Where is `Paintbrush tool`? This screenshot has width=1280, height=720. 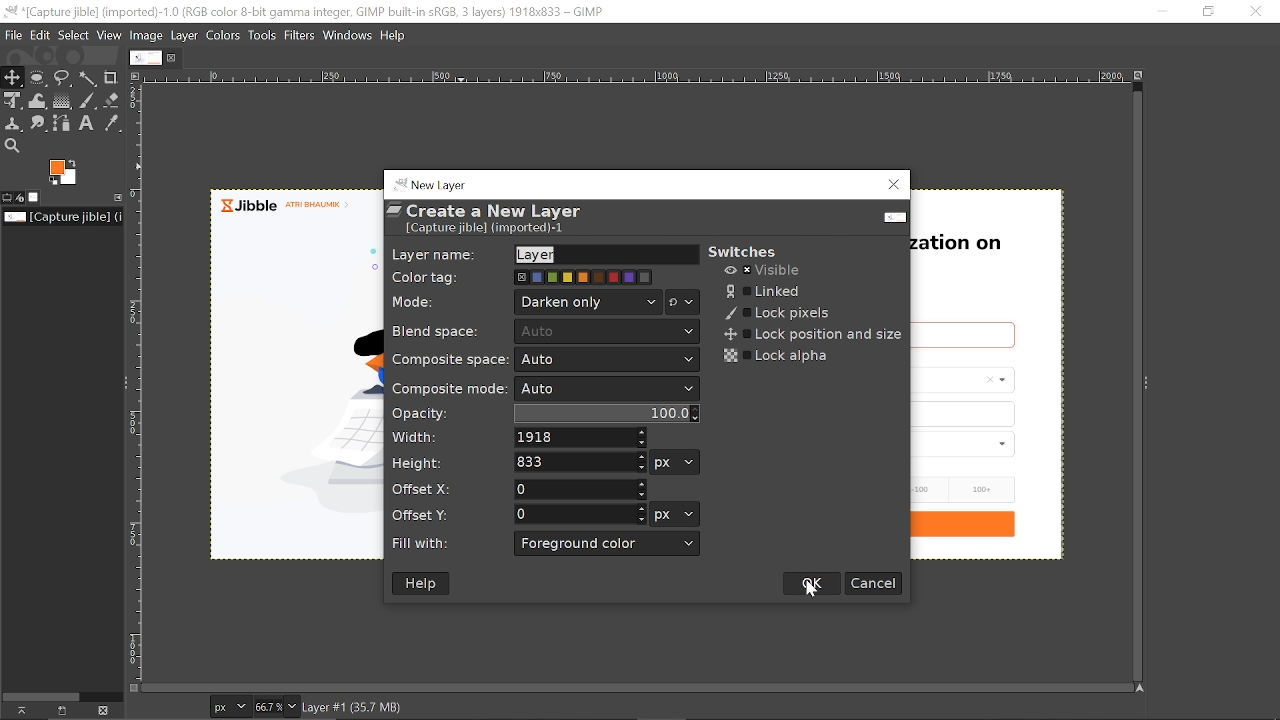 Paintbrush tool is located at coordinates (88, 101).